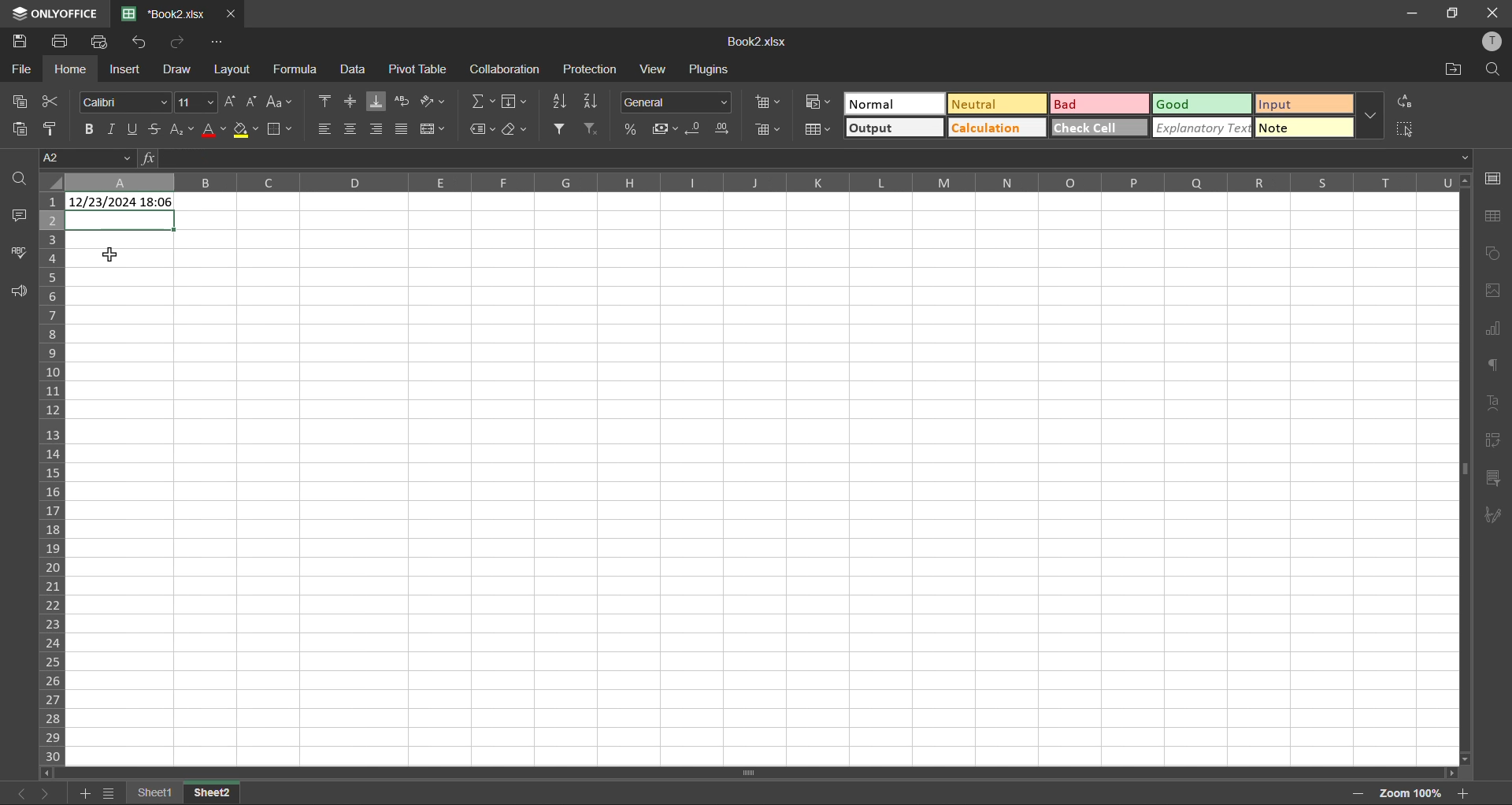 The width and height of the screenshot is (1512, 805). What do you see at coordinates (21, 101) in the screenshot?
I see `copy` at bounding box center [21, 101].